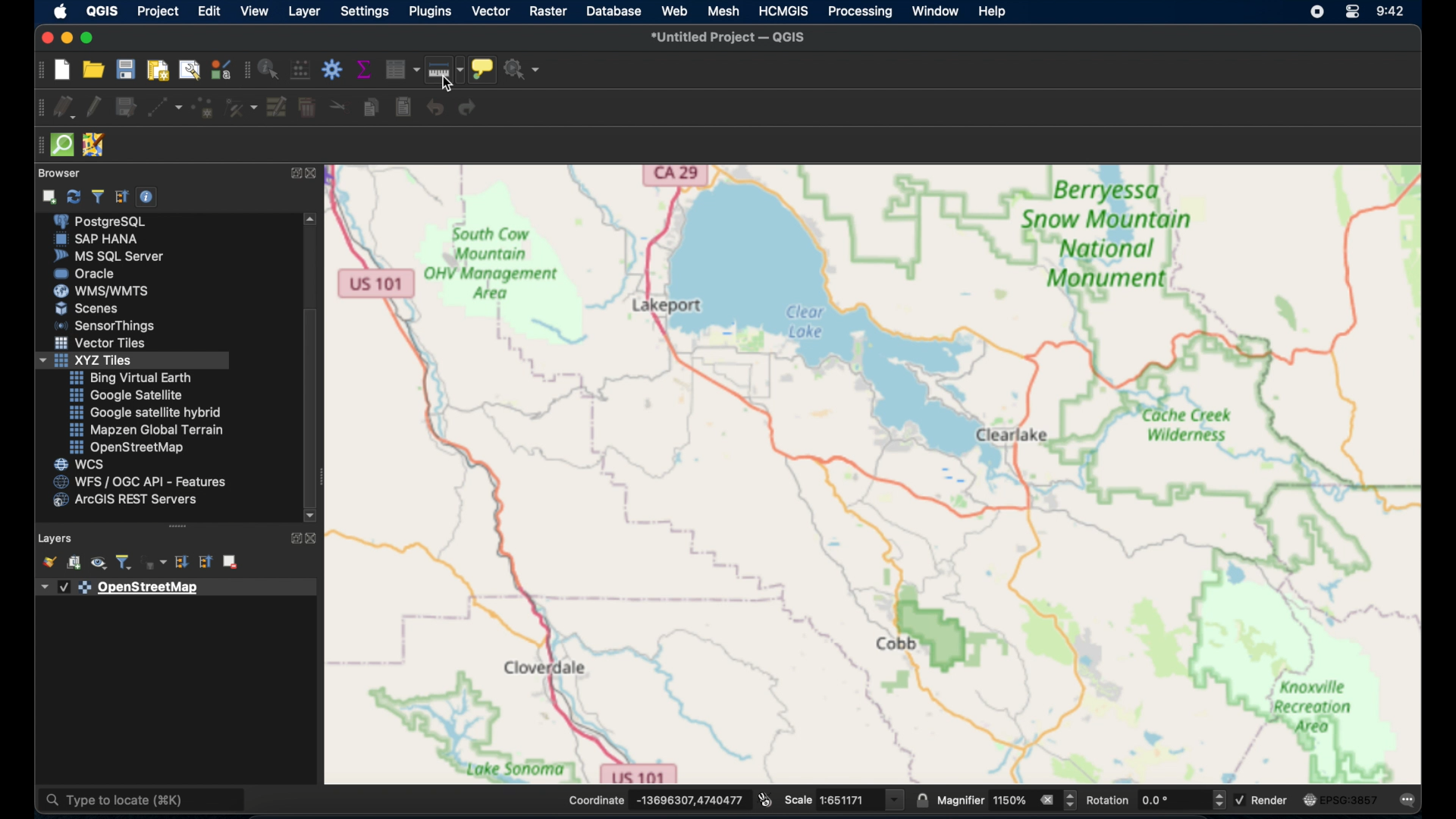 This screenshot has width=1456, height=819. I want to click on filter legend, so click(126, 563).